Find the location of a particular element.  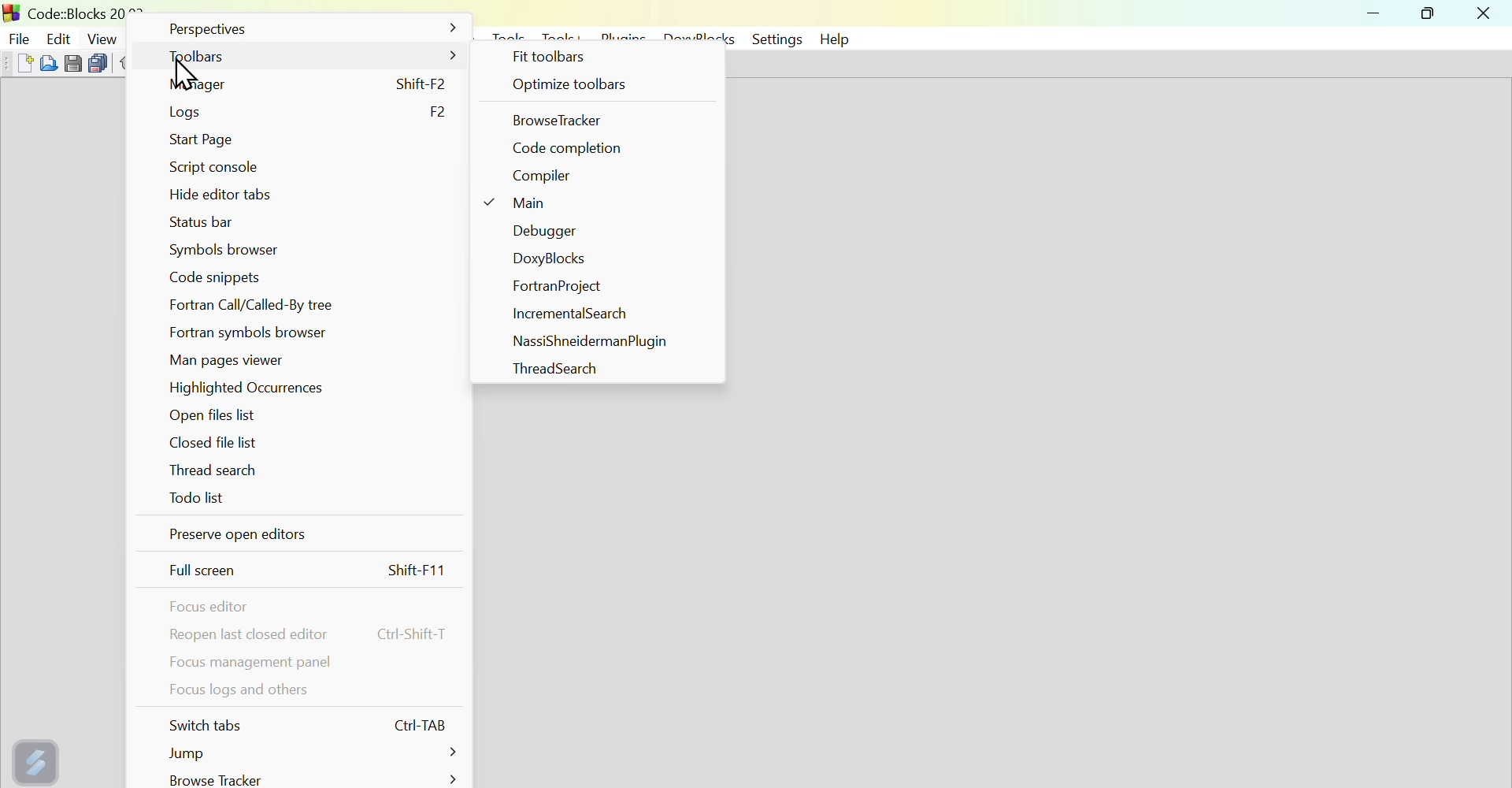

Hide editor tabs is located at coordinates (217, 196).